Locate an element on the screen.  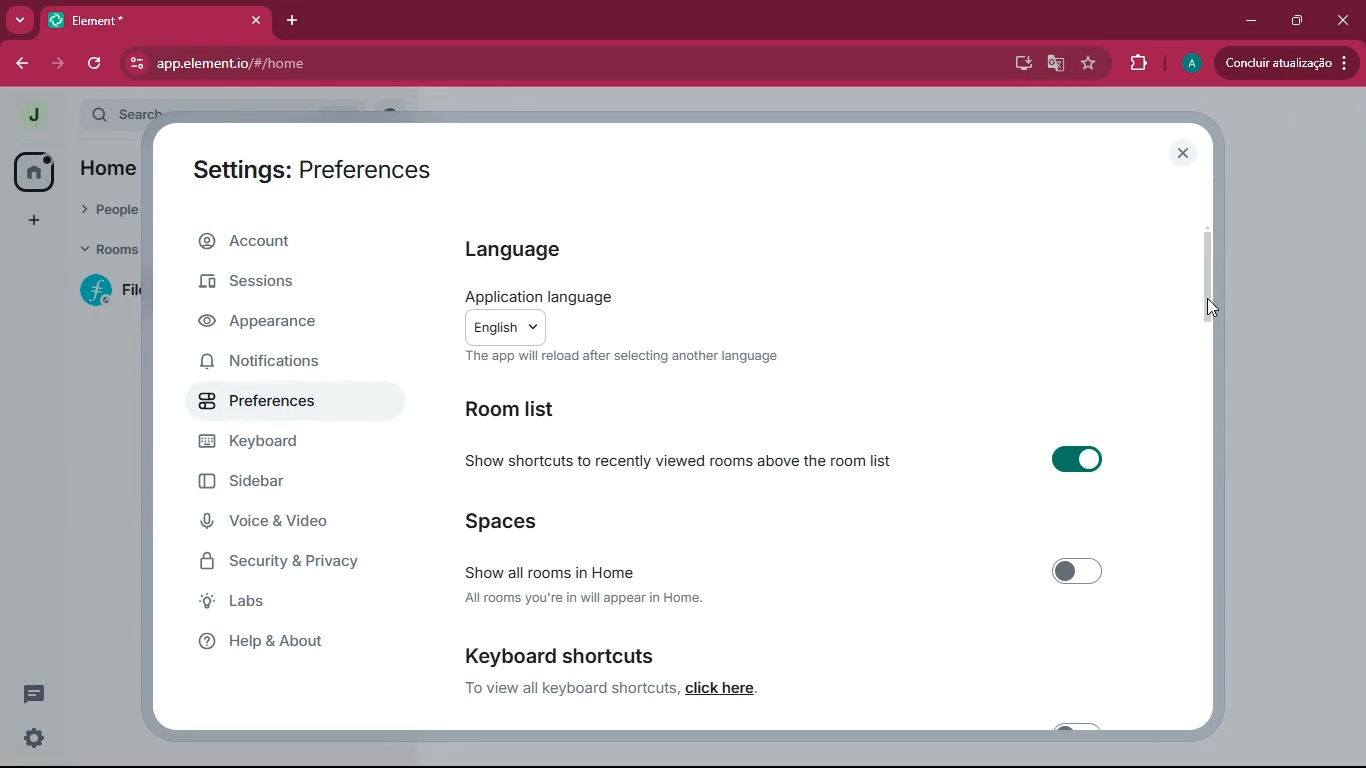
To view all keyboard shortcuts is located at coordinates (567, 690).